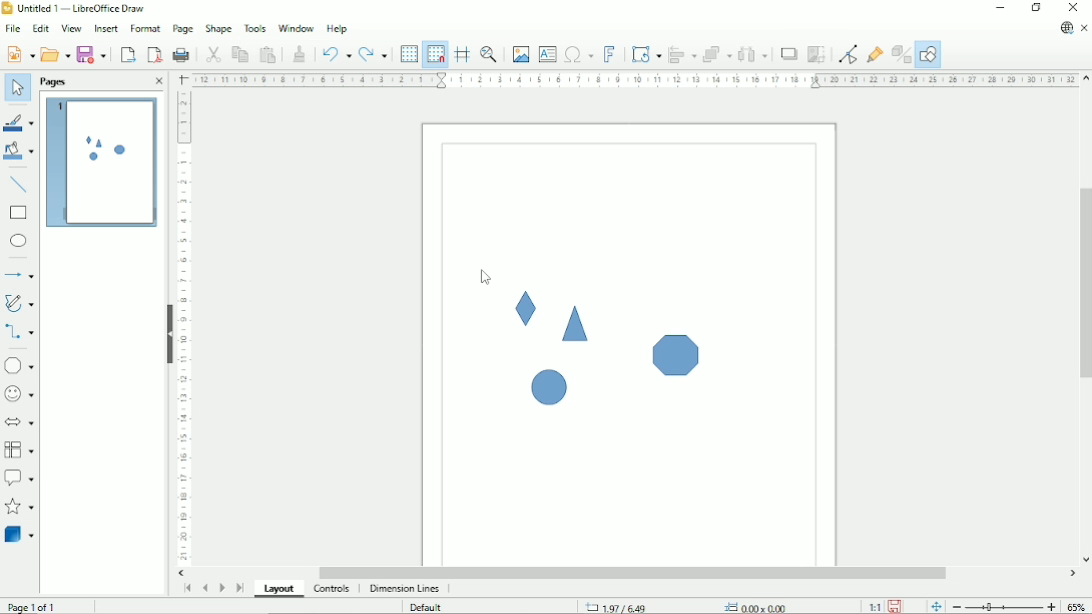  I want to click on Close, so click(1076, 8).